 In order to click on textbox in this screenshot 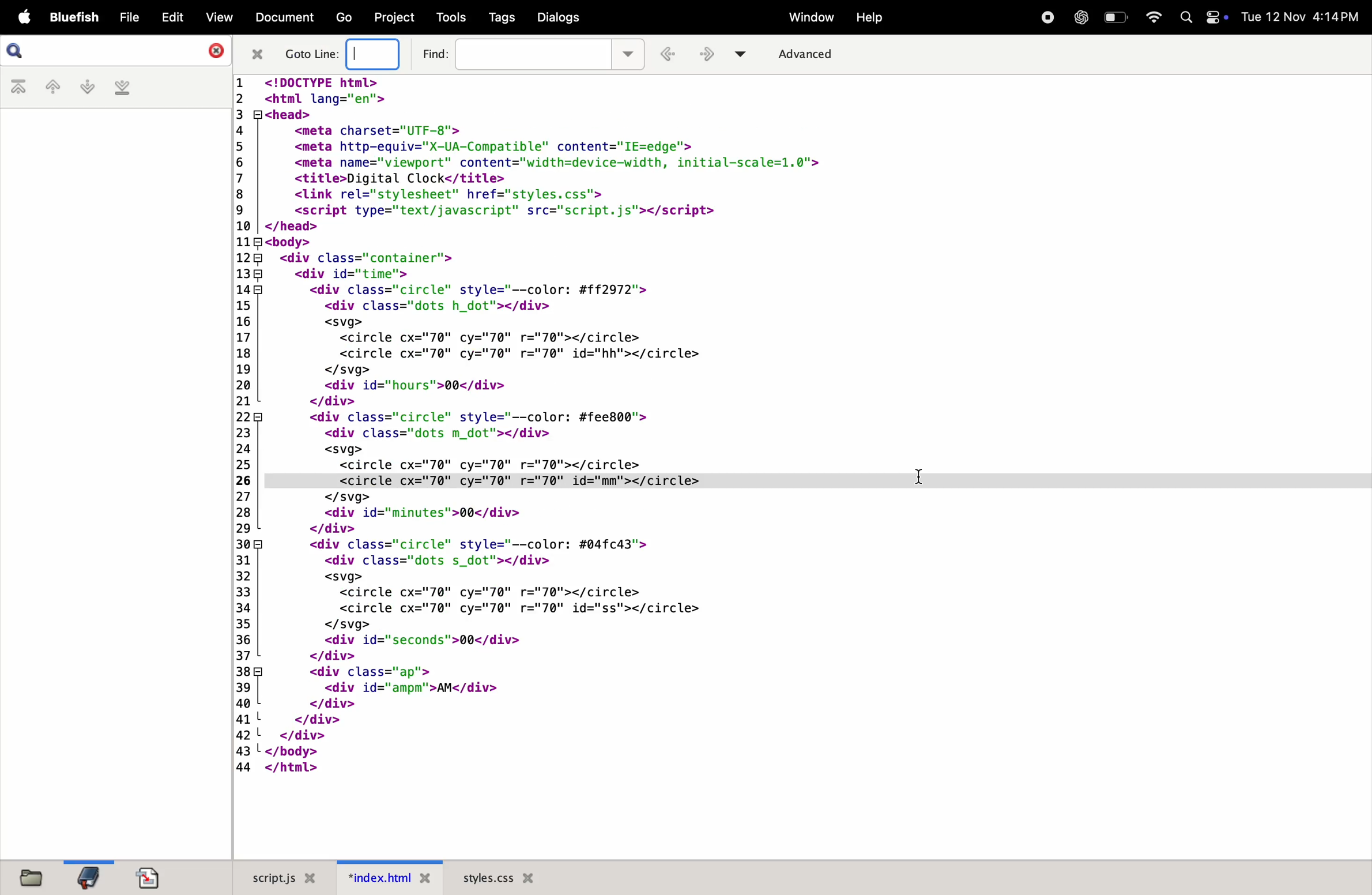, I will do `click(534, 54)`.